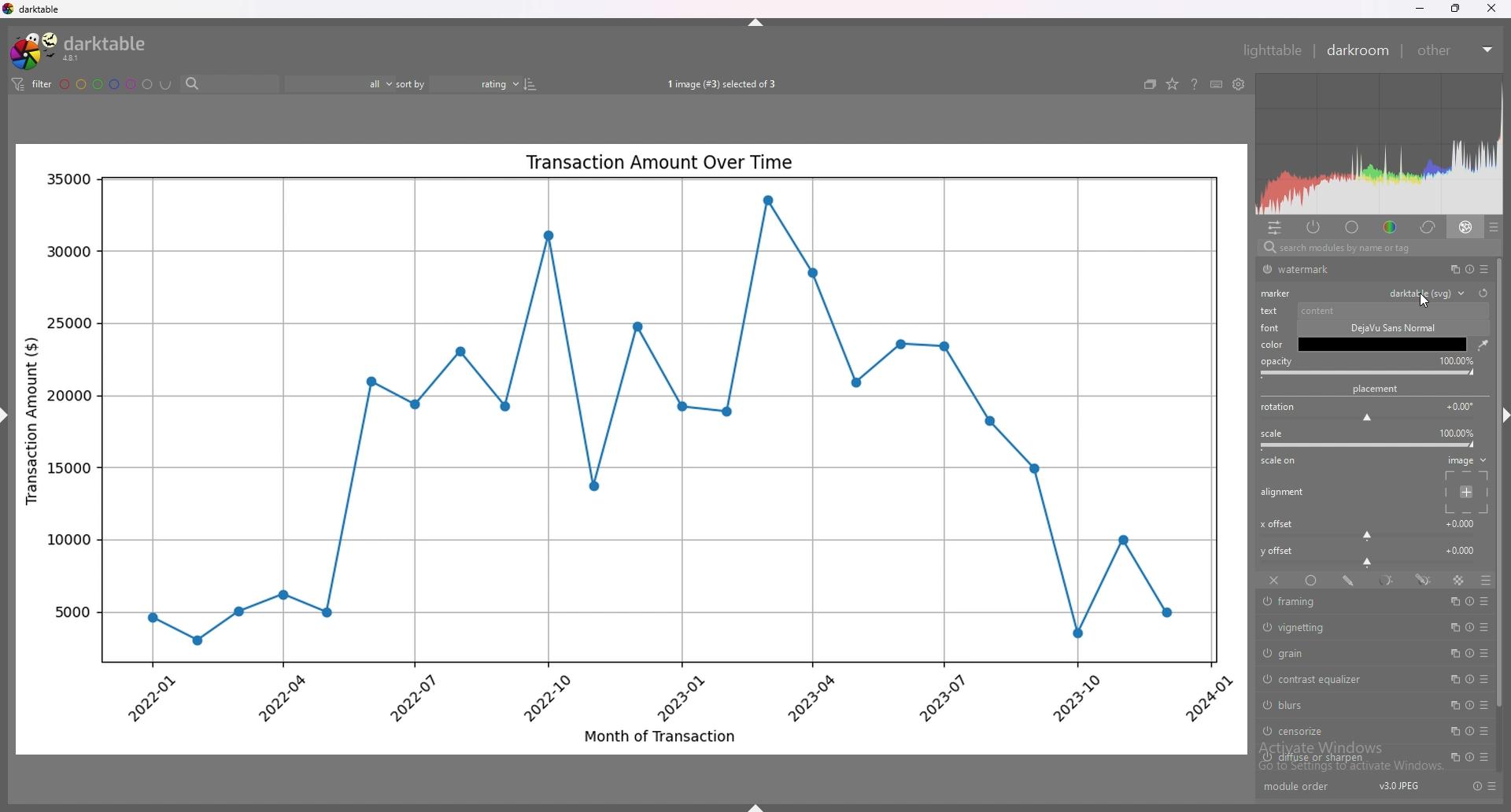 The height and width of the screenshot is (812, 1511). Describe the element at coordinates (1315, 228) in the screenshot. I see `active modules` at that location.